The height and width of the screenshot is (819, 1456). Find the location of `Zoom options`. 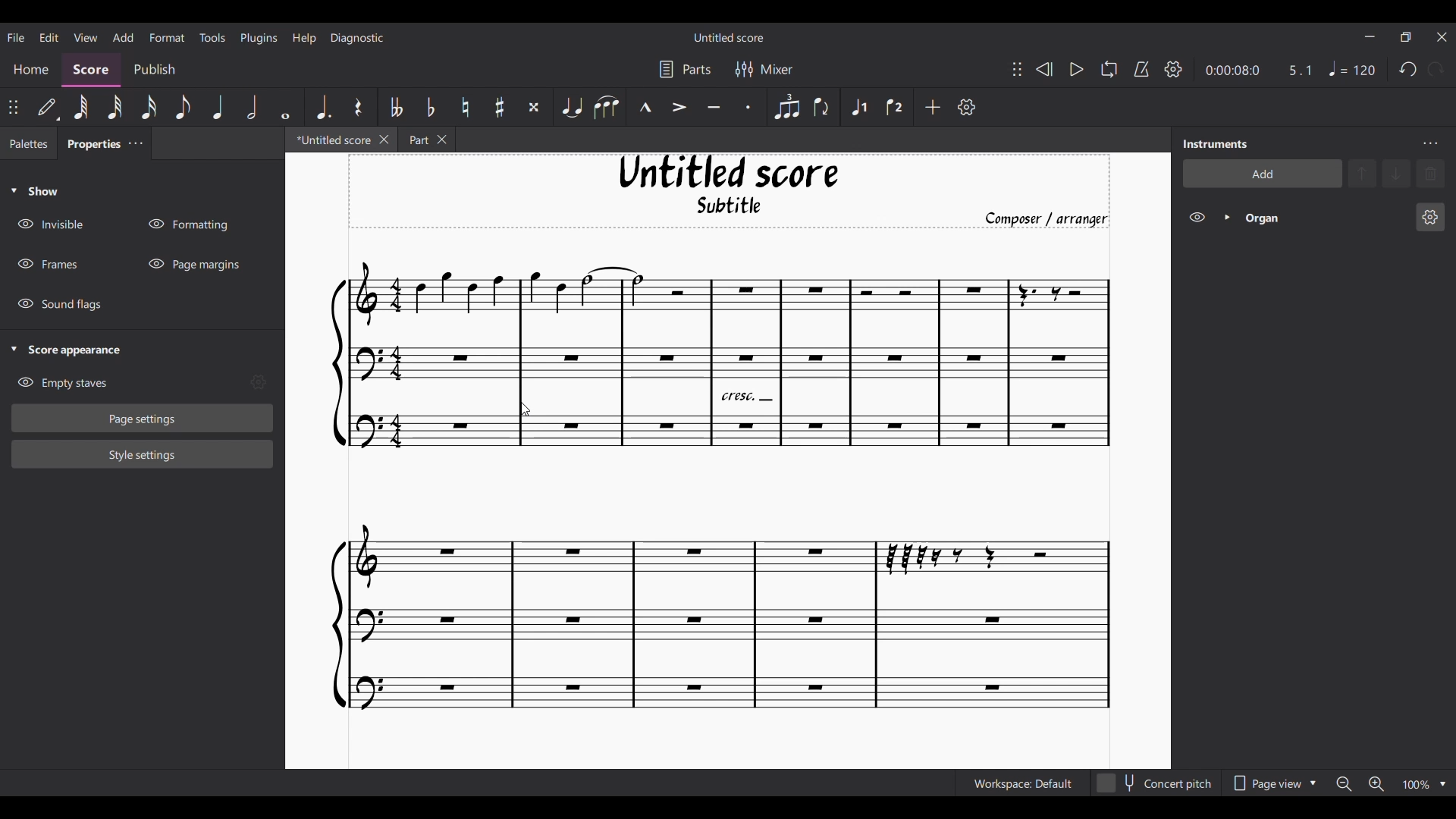

Zoom options is located at coordinates (1443, 784).